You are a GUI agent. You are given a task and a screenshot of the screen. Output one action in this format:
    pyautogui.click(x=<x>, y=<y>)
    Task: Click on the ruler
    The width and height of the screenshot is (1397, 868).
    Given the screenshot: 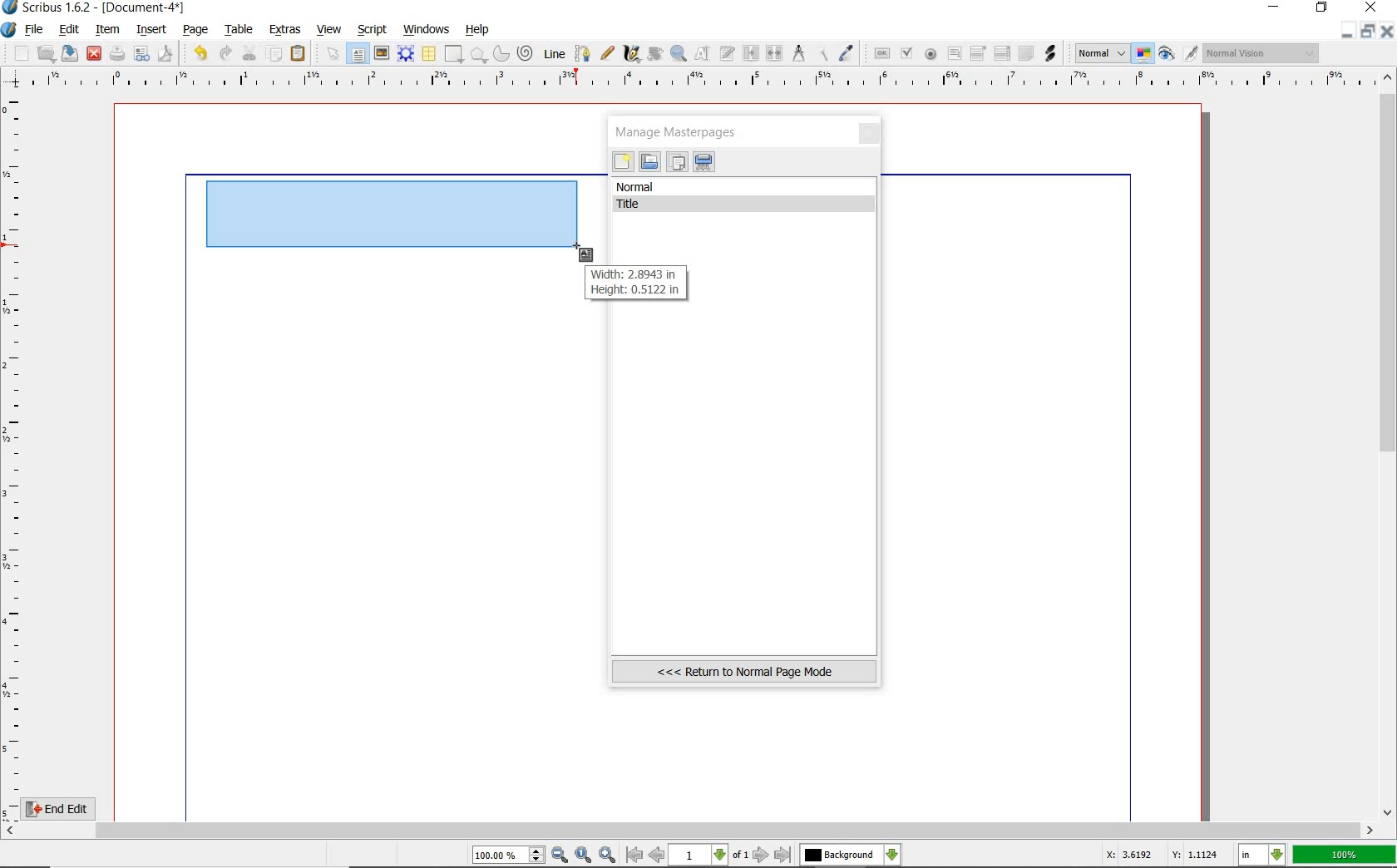 What is the action you would take?
    pyautogui.click(x=699, y=81)
    